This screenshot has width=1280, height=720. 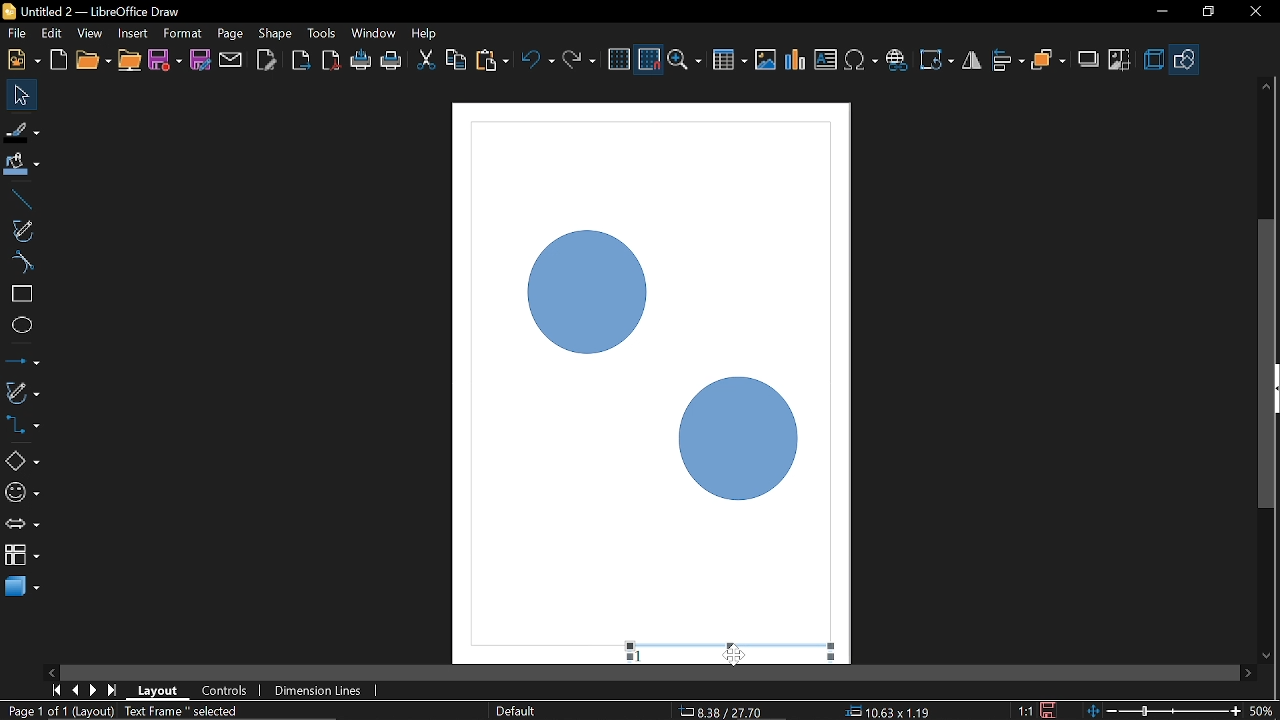 What do you see at coordinates (22, 585) in the screenshot?
I see `3d shapes` at bounding box center [22, 585].